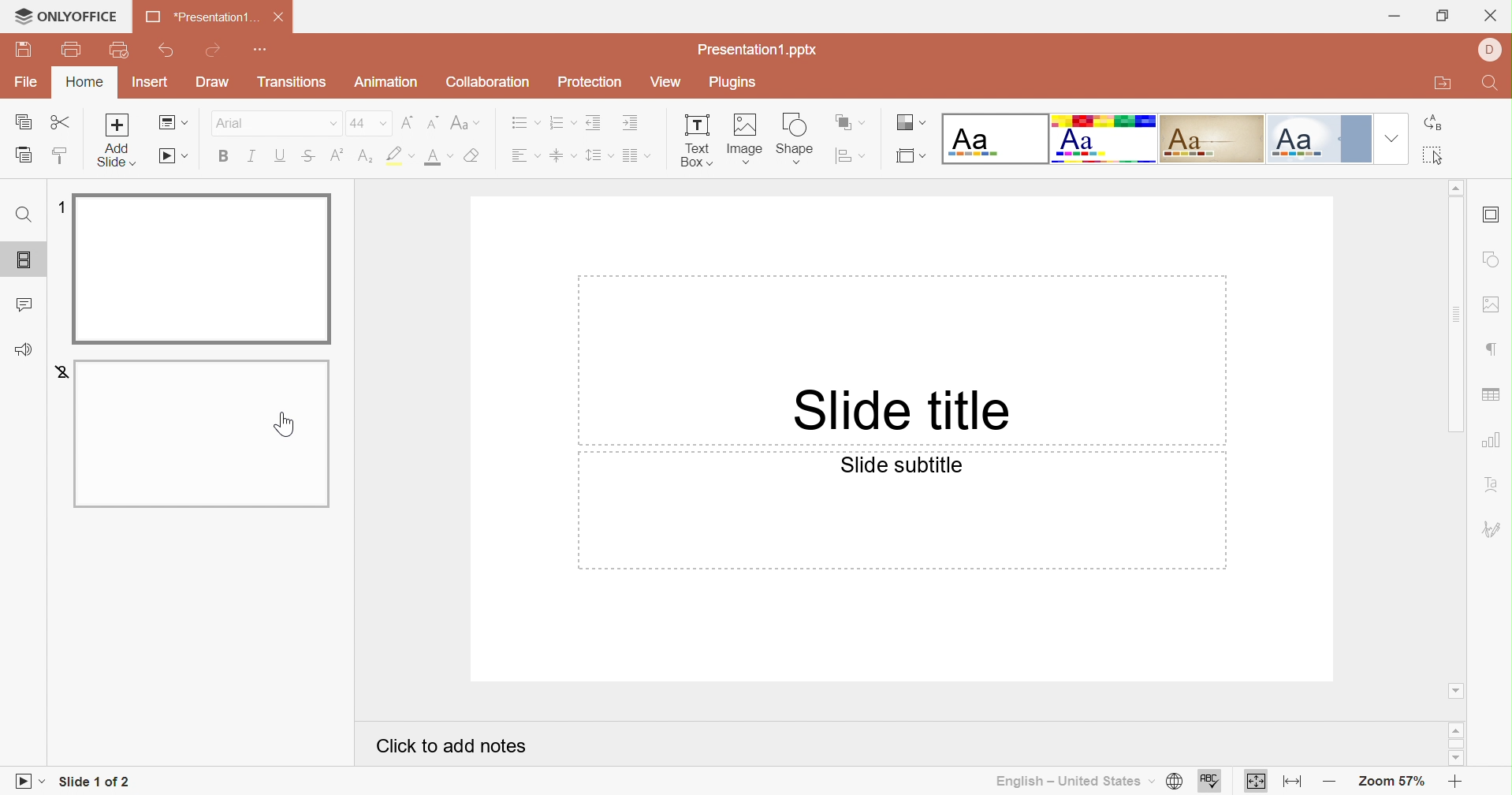 This screenshot has height=795, width=1512. I want to click on Slide settings, so click(1492, 216).